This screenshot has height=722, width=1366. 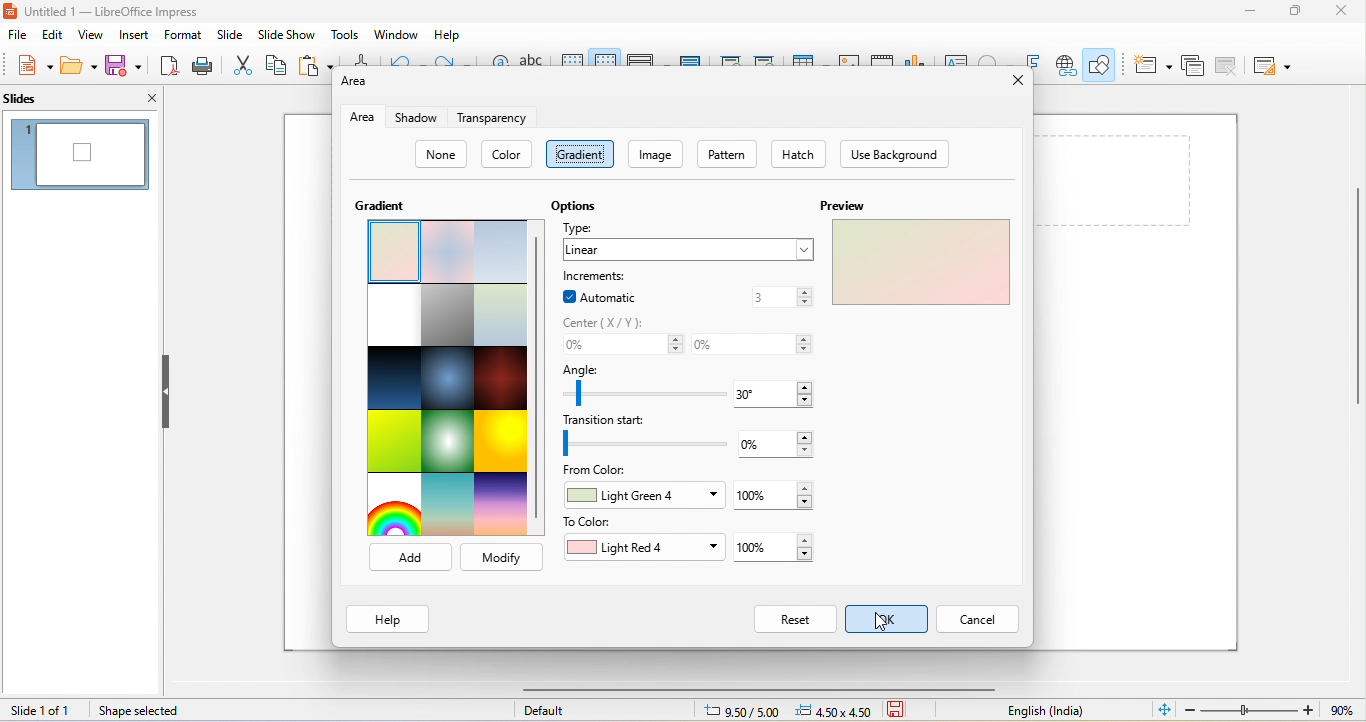 I want to click on area, so click(x=359, y=82).